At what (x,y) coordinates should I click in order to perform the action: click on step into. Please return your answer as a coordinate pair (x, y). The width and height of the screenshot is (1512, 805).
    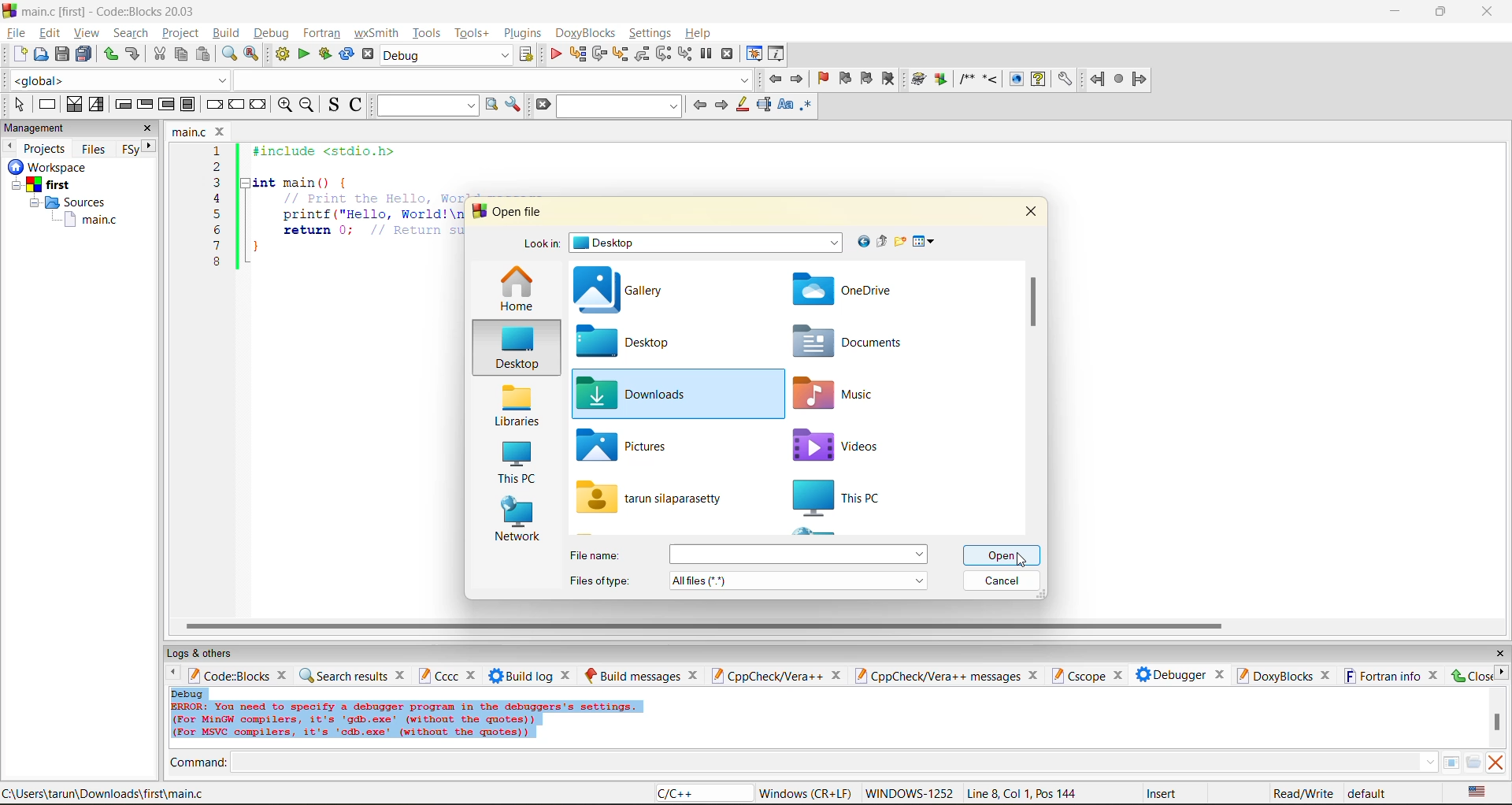
    Looking at the image, I should click on (990, 78).